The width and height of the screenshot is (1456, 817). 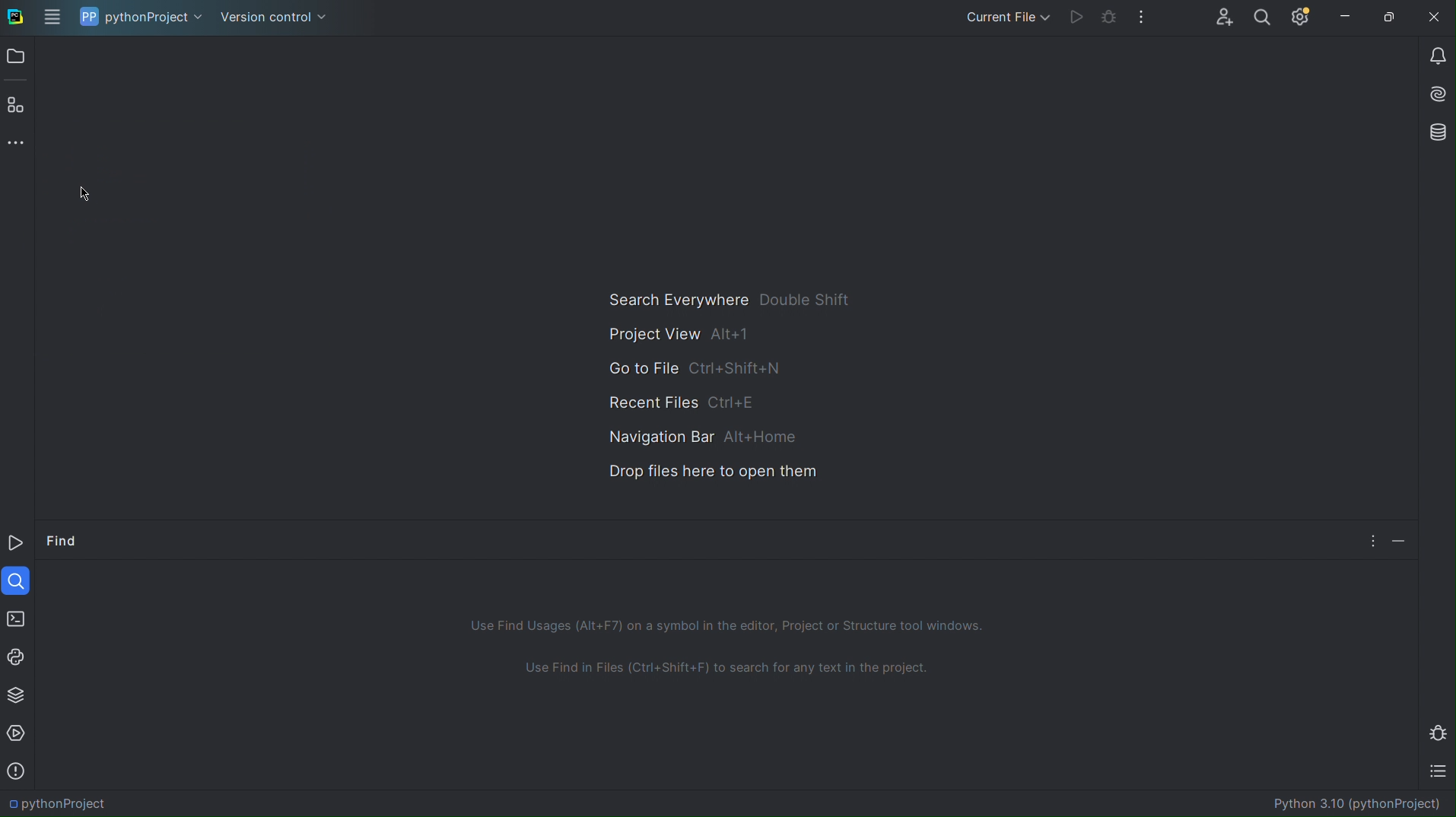 I want to click on PyCharm logo, so click(x=14, y=15).